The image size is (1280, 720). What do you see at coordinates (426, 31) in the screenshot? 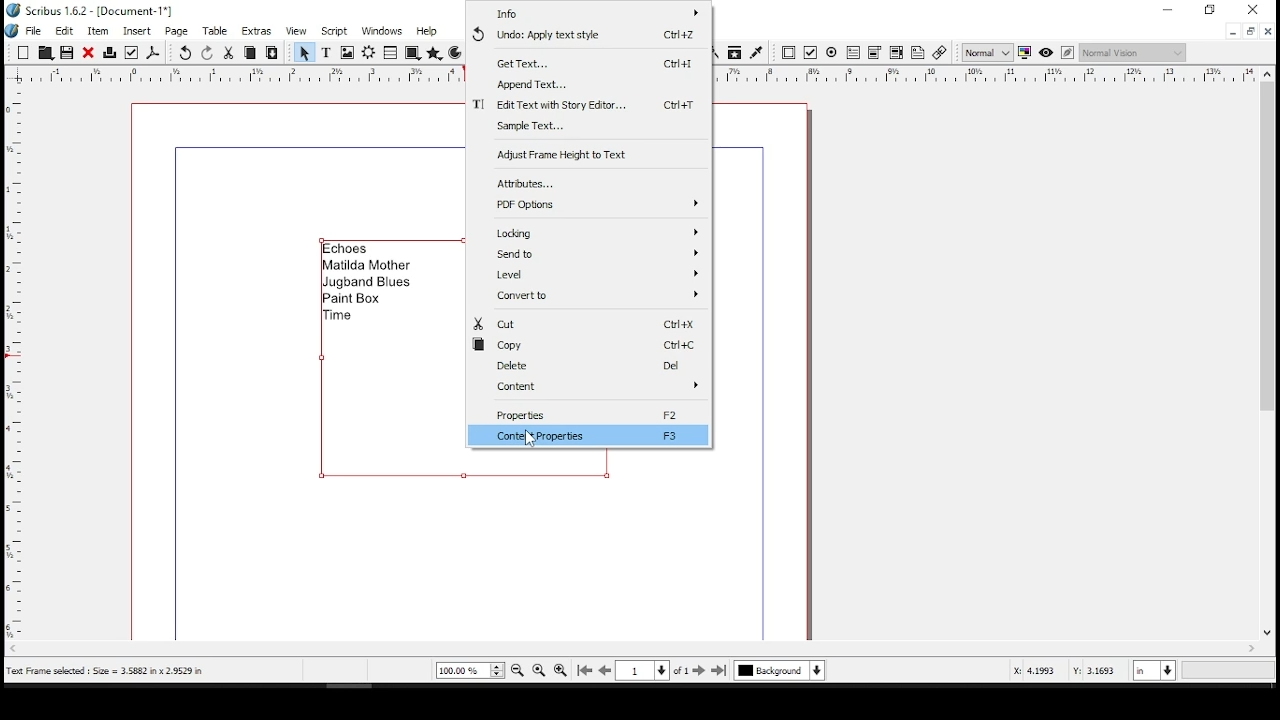
I see `help` at bounding box center [426, 31].